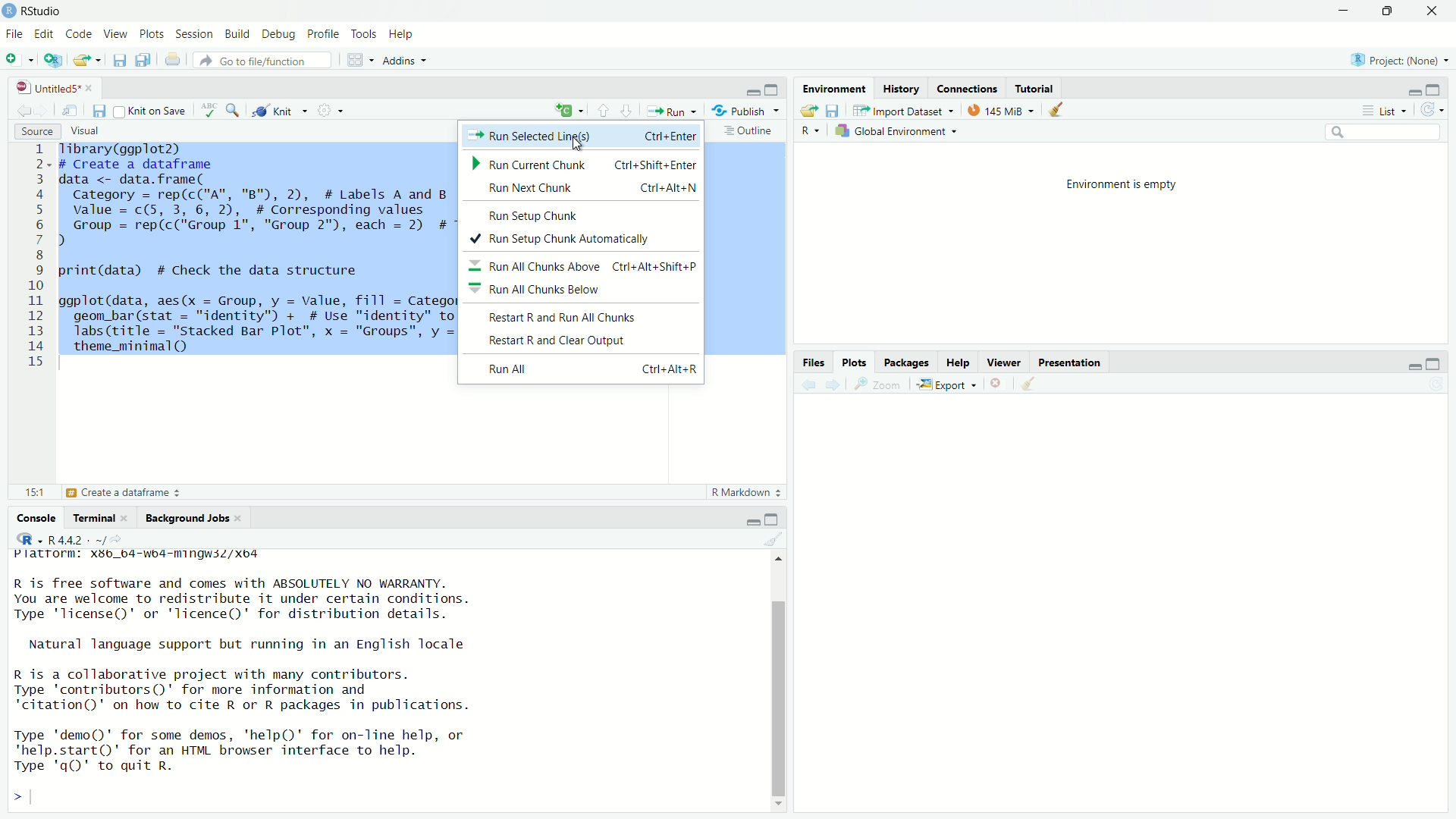 This screenshot has width=1456, height=819. Describe the element at coordinates (1372, 132) in the screenshot. I see `Search bar` at that location.